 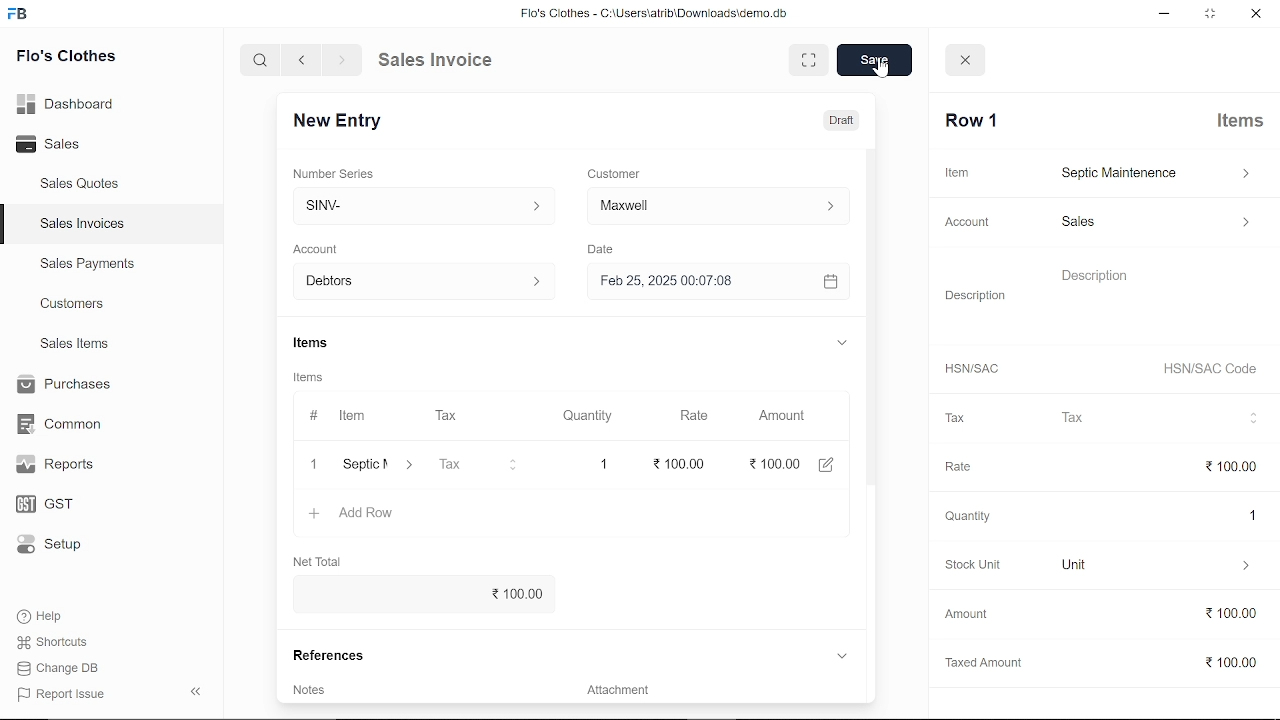 What do you see at coordinates (1230, 664) in the screenshot?
I see `0.00` at bounding box center [1230, 664].